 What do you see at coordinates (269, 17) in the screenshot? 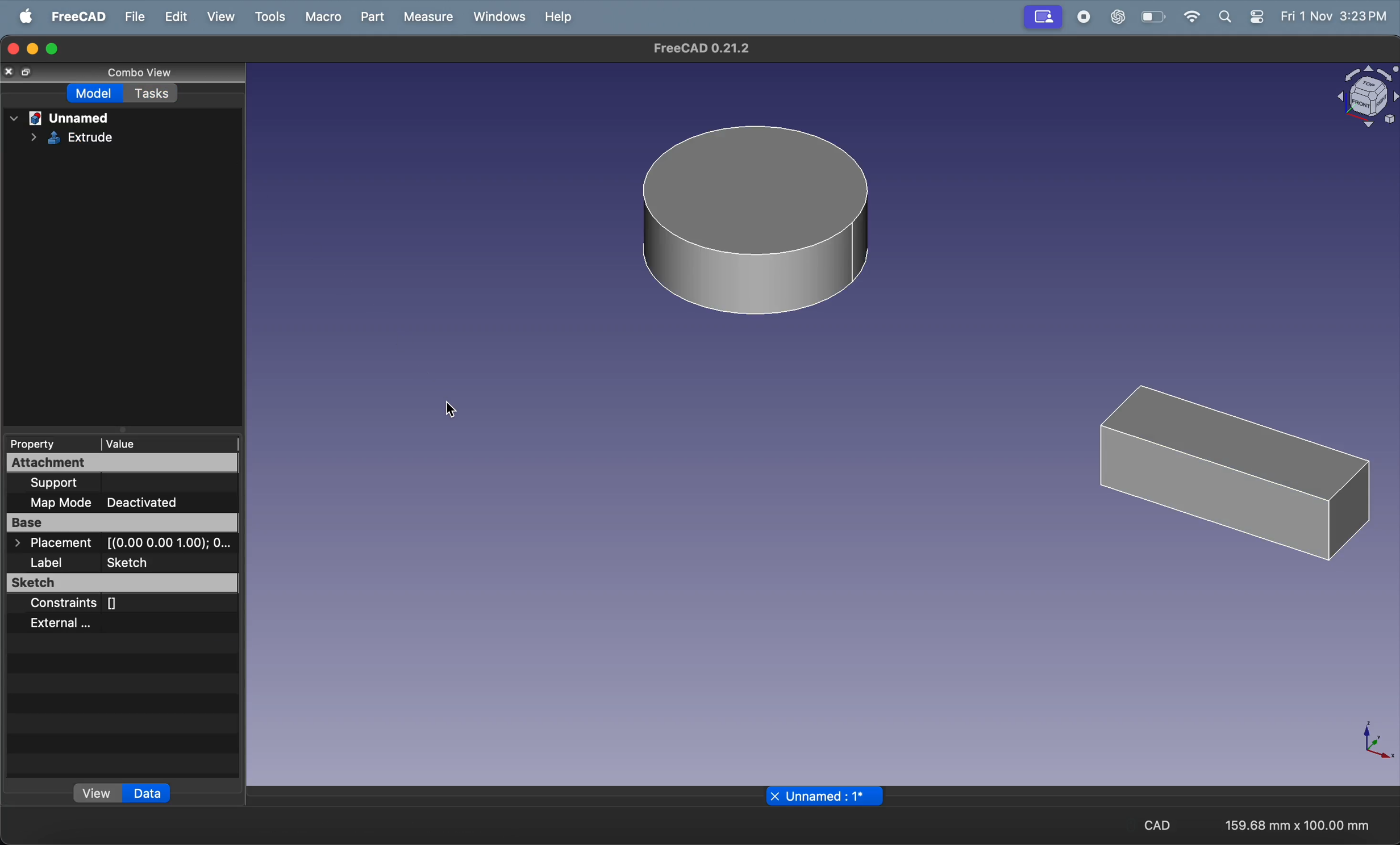
I see `Tools` at bounding box center [269, 17].